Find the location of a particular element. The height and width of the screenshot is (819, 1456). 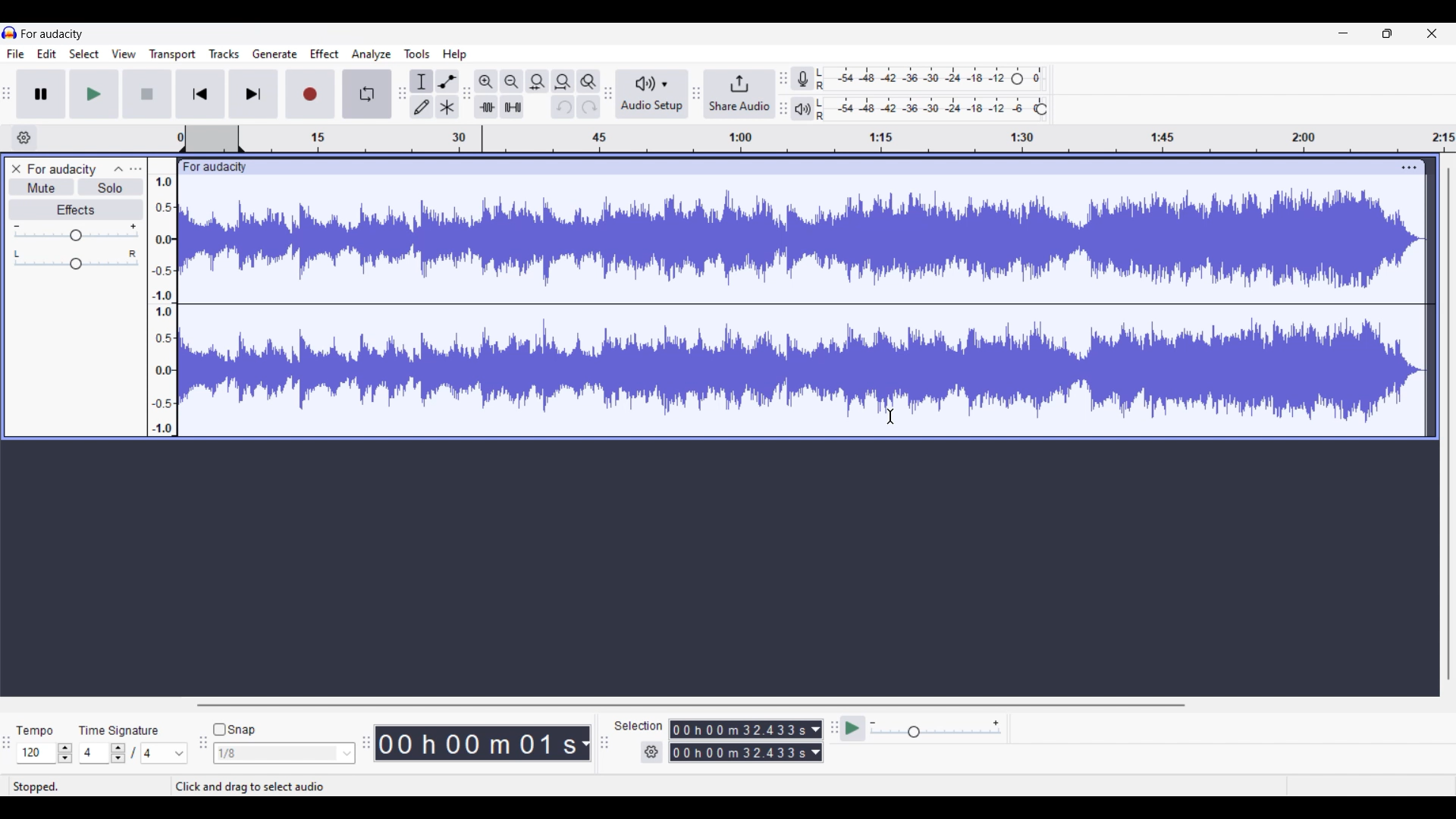

Record meter is located at coordinates (802, 78).